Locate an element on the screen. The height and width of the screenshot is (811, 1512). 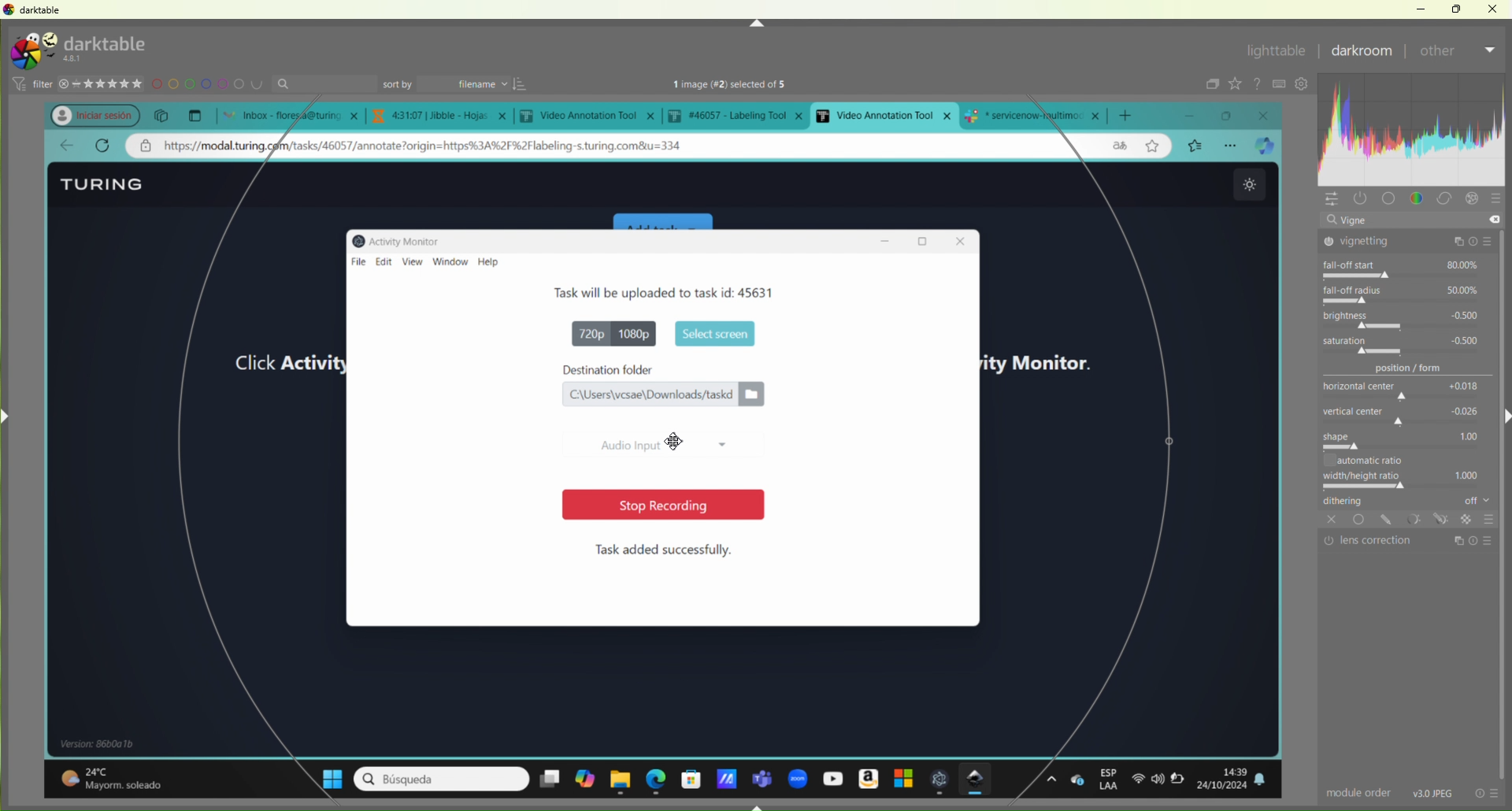
copilot is located at coordinates (584, 781).